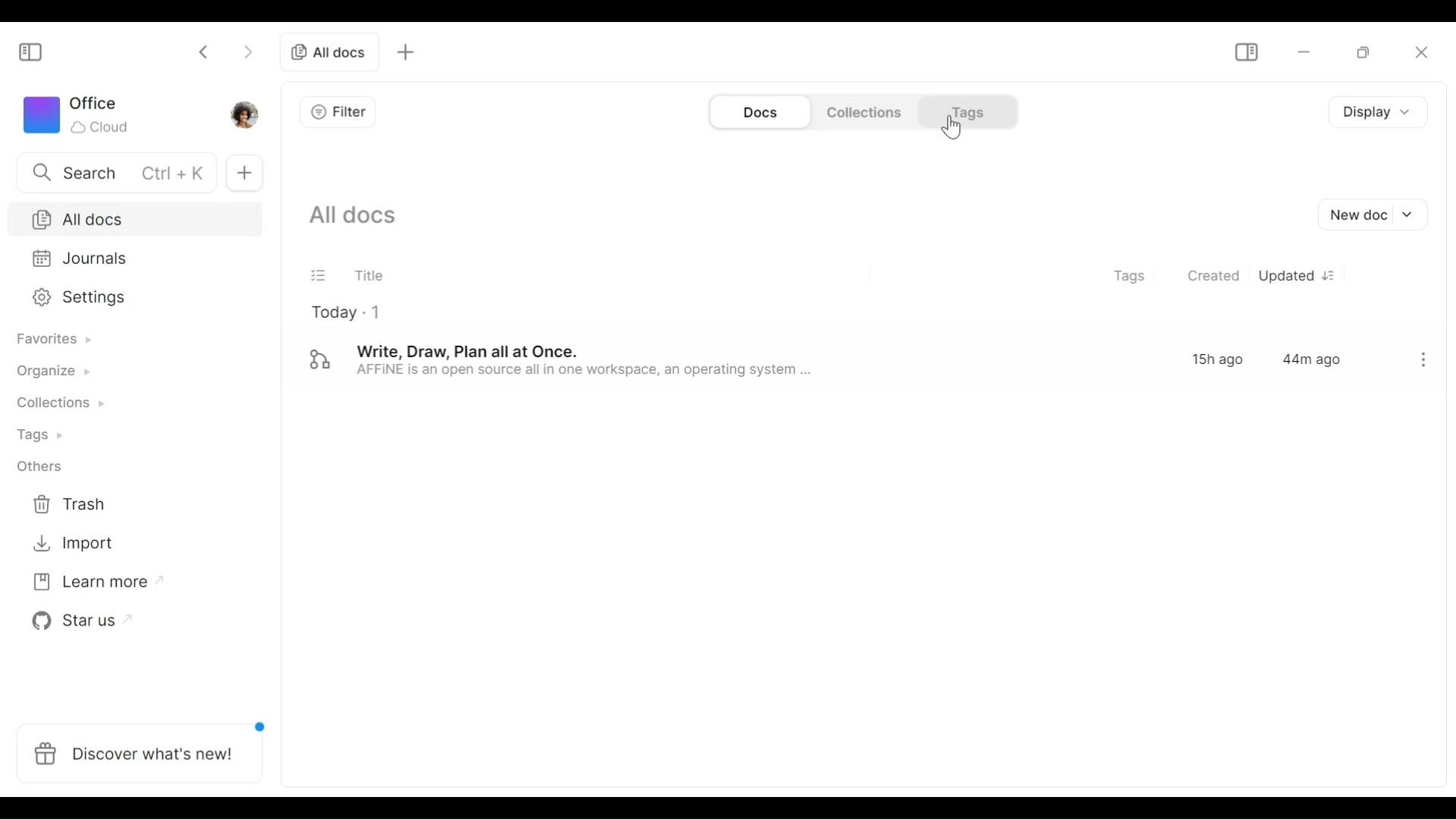  I want to click on Edgeless mode, so click(315, 359).